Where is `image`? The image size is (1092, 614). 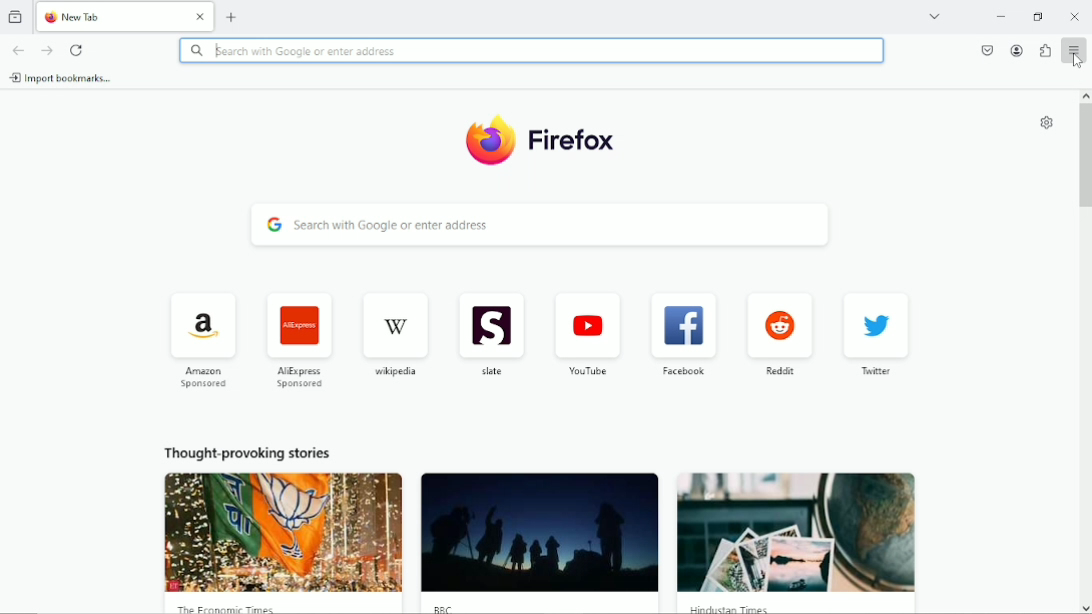
image is located at coordinates (539, 533).